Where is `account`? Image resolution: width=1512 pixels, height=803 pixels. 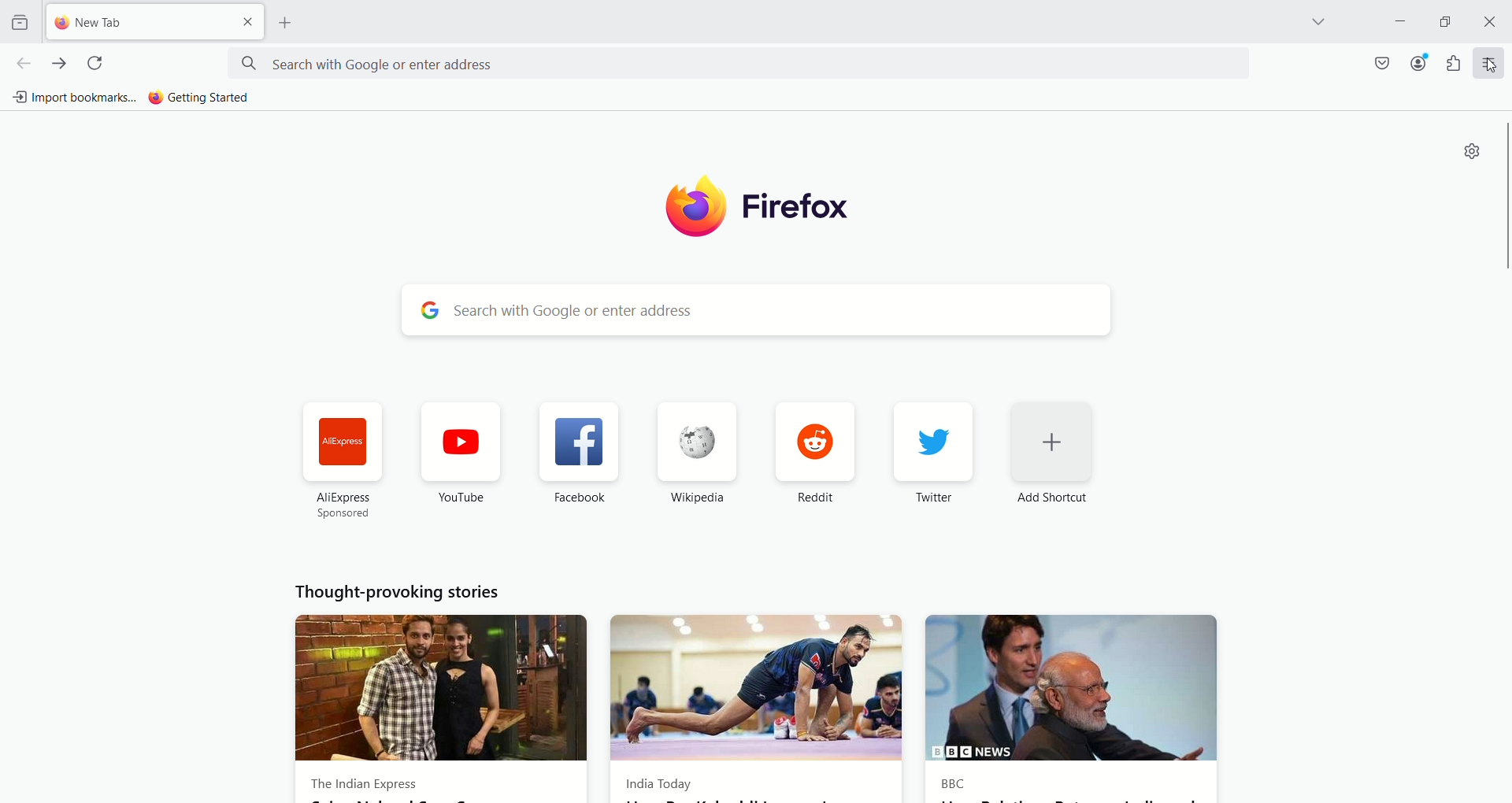 account is located at coordinates (1418, 62).